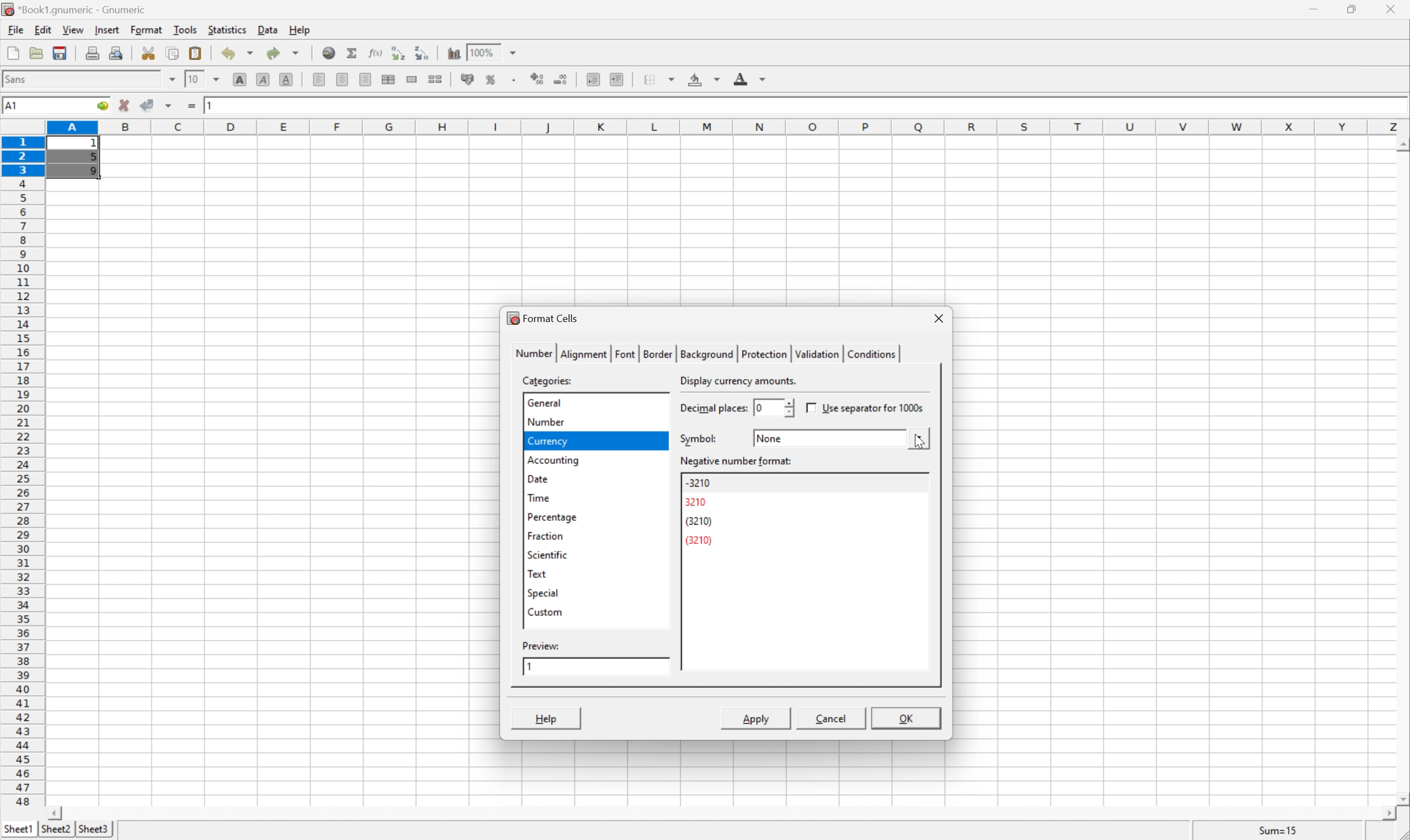  What do you see at coordinates (343, 79) in the screenshot?
I see `align center` at bounding box center [343, 79].